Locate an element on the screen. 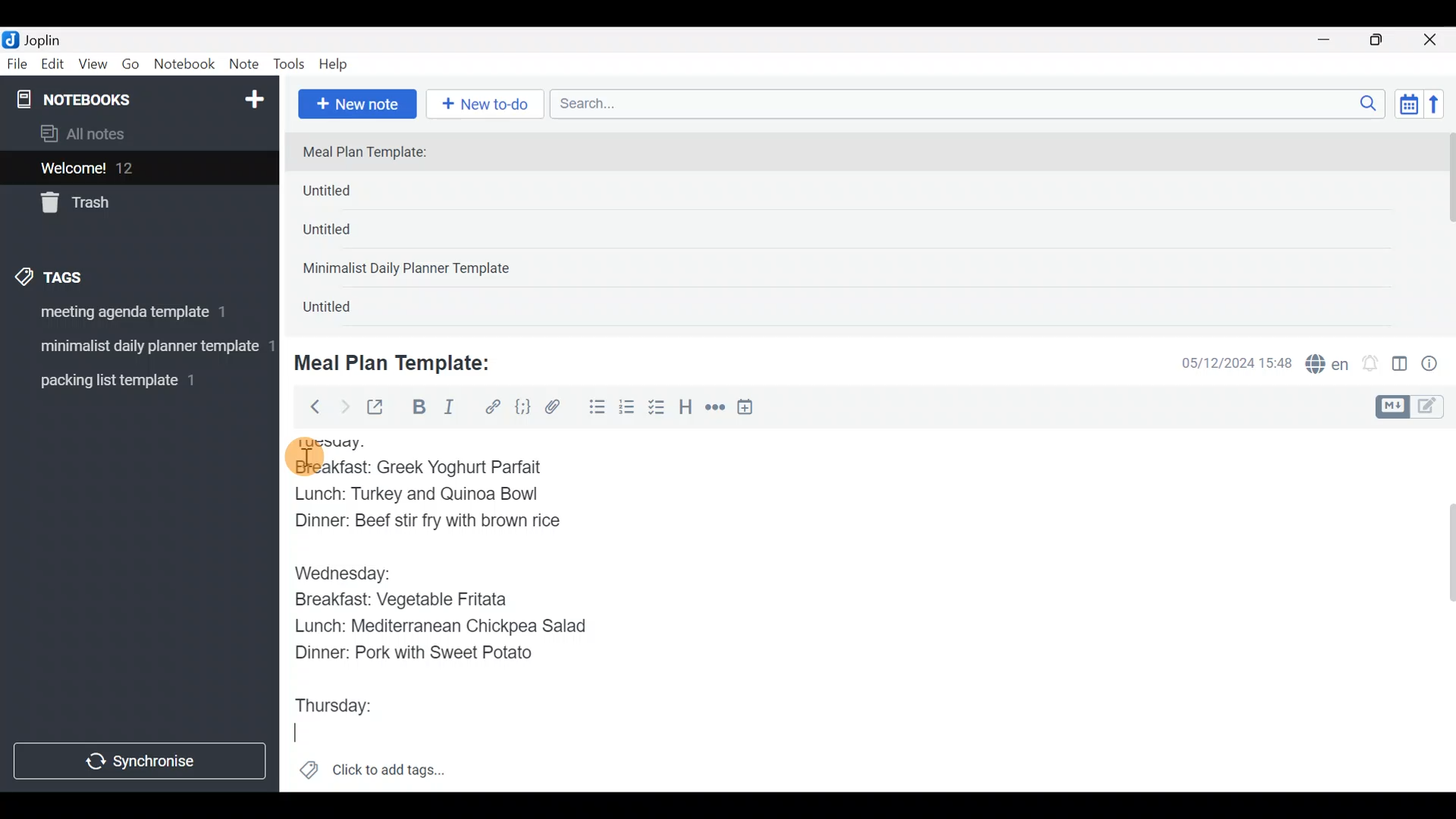  Edit is located at coordinates (53, 67).